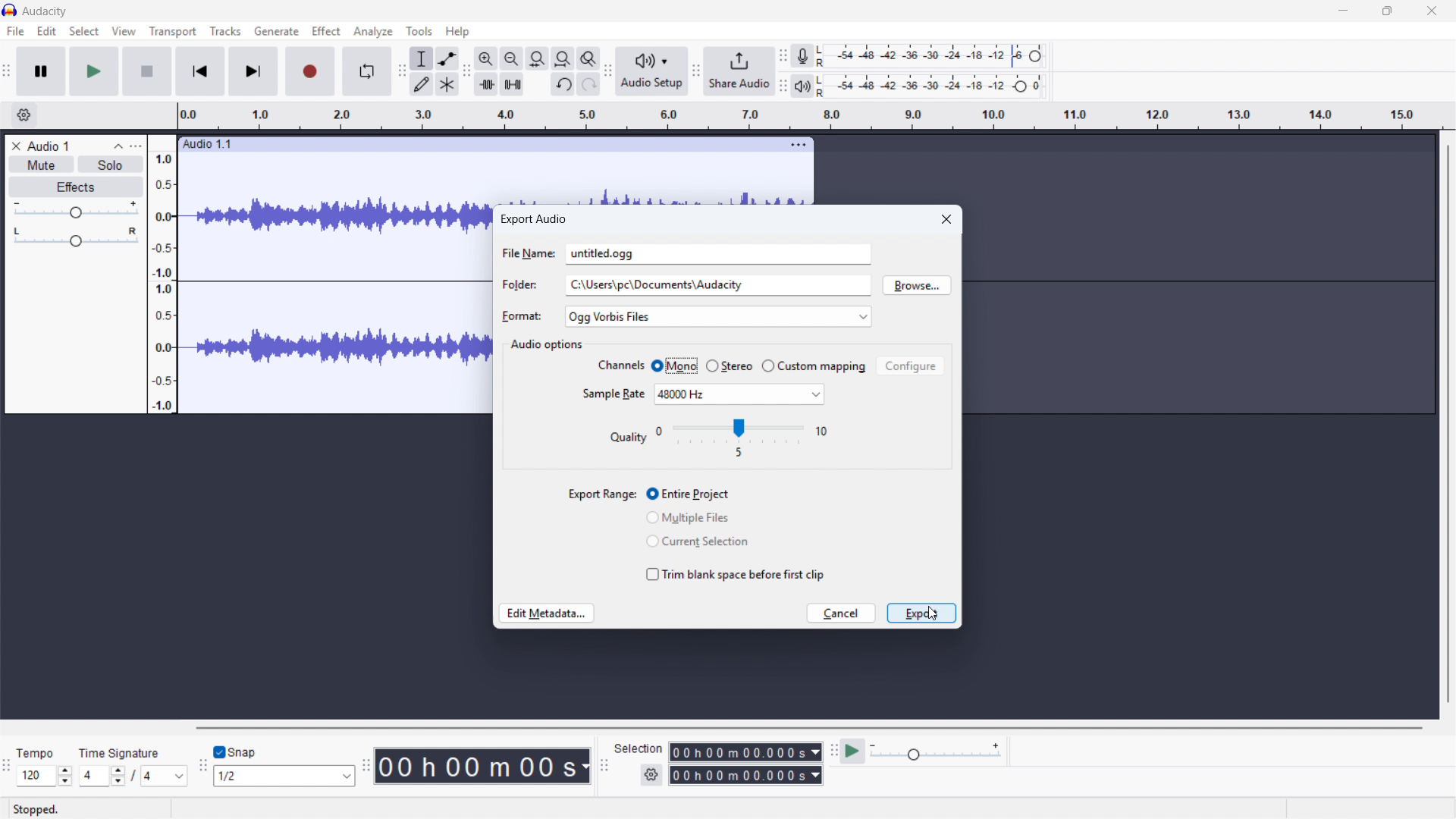 This screenshot has height=819, width=1456. What do you see at coordinates (466, 72) in the screenshot?
I see `Edit toolbar ` at bounding box center [466, 72].